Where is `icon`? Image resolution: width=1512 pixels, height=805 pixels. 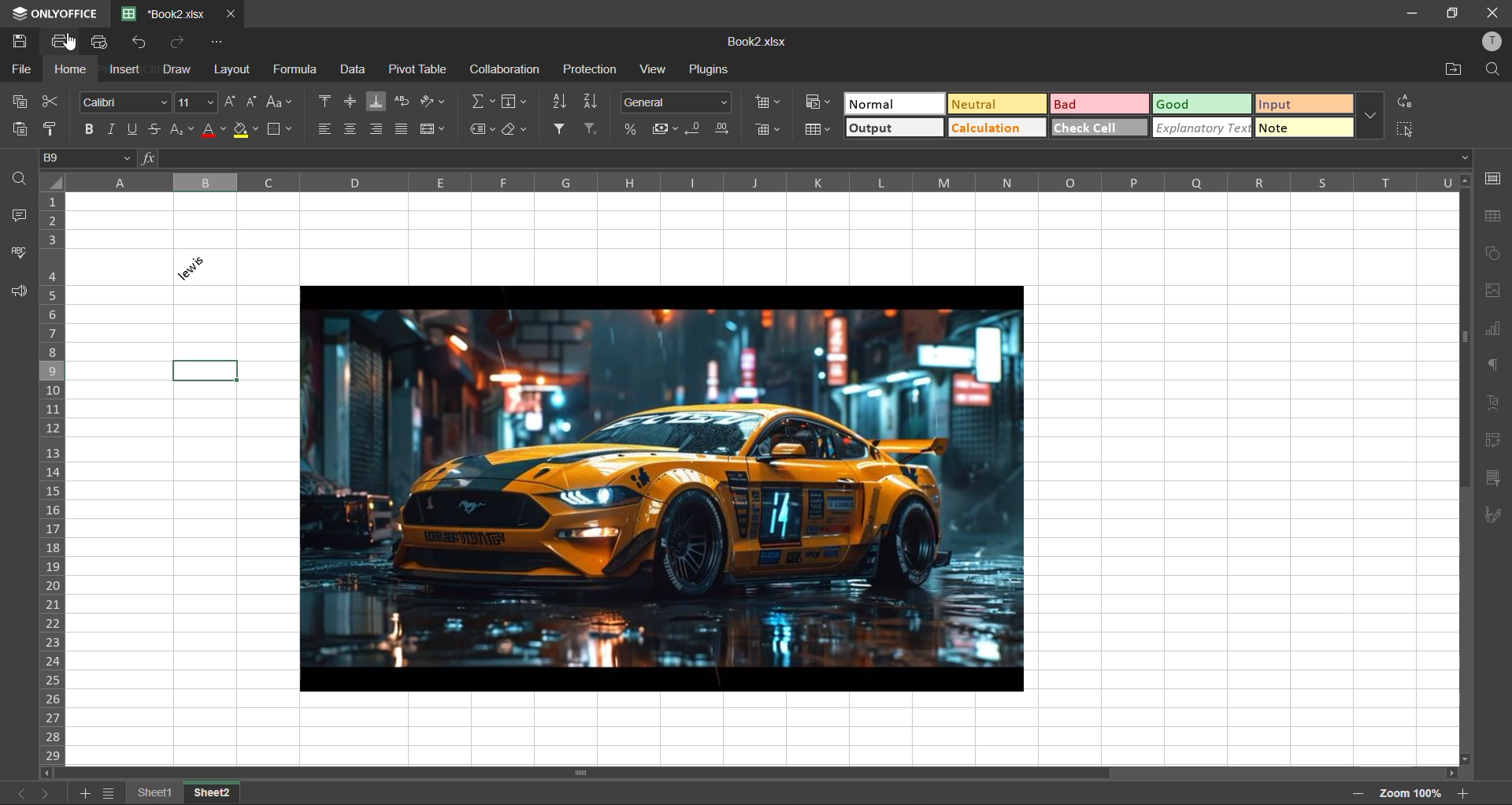
icon is located at coordinates (18, 14).